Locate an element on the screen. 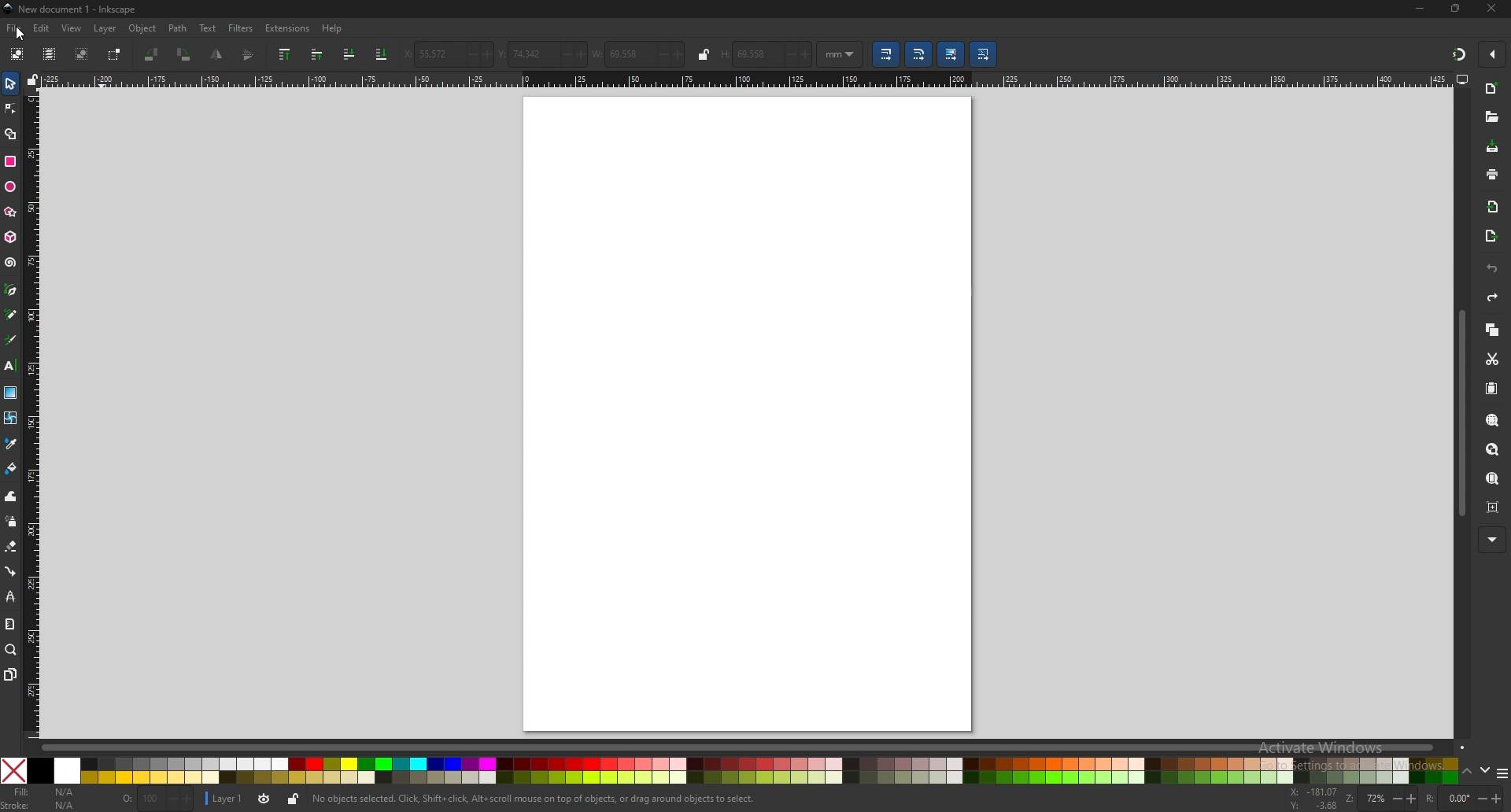 Image resolution: width=1511 pixels, height=812 pixels. lpe is located at coordinates (9, 597).